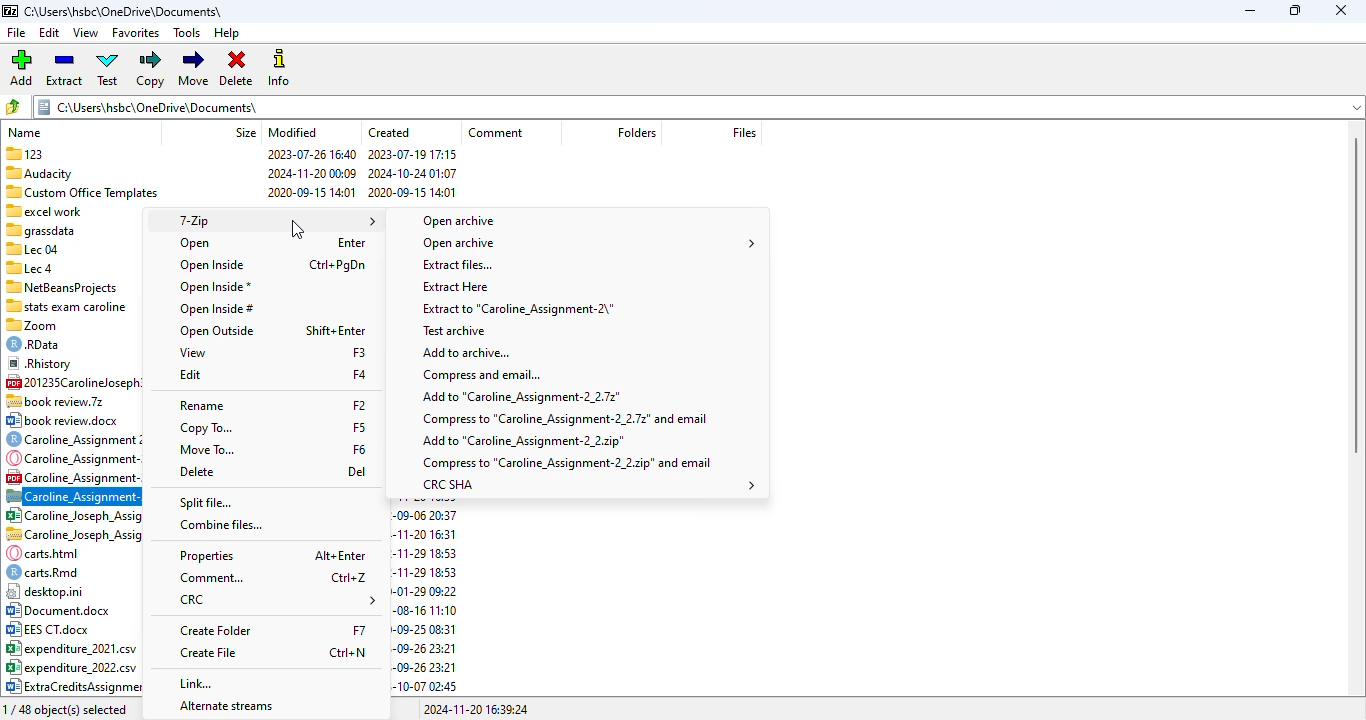  Describe the element at coordinates (523, 441) in the screenshot. I see `add to .zip file` at that location.